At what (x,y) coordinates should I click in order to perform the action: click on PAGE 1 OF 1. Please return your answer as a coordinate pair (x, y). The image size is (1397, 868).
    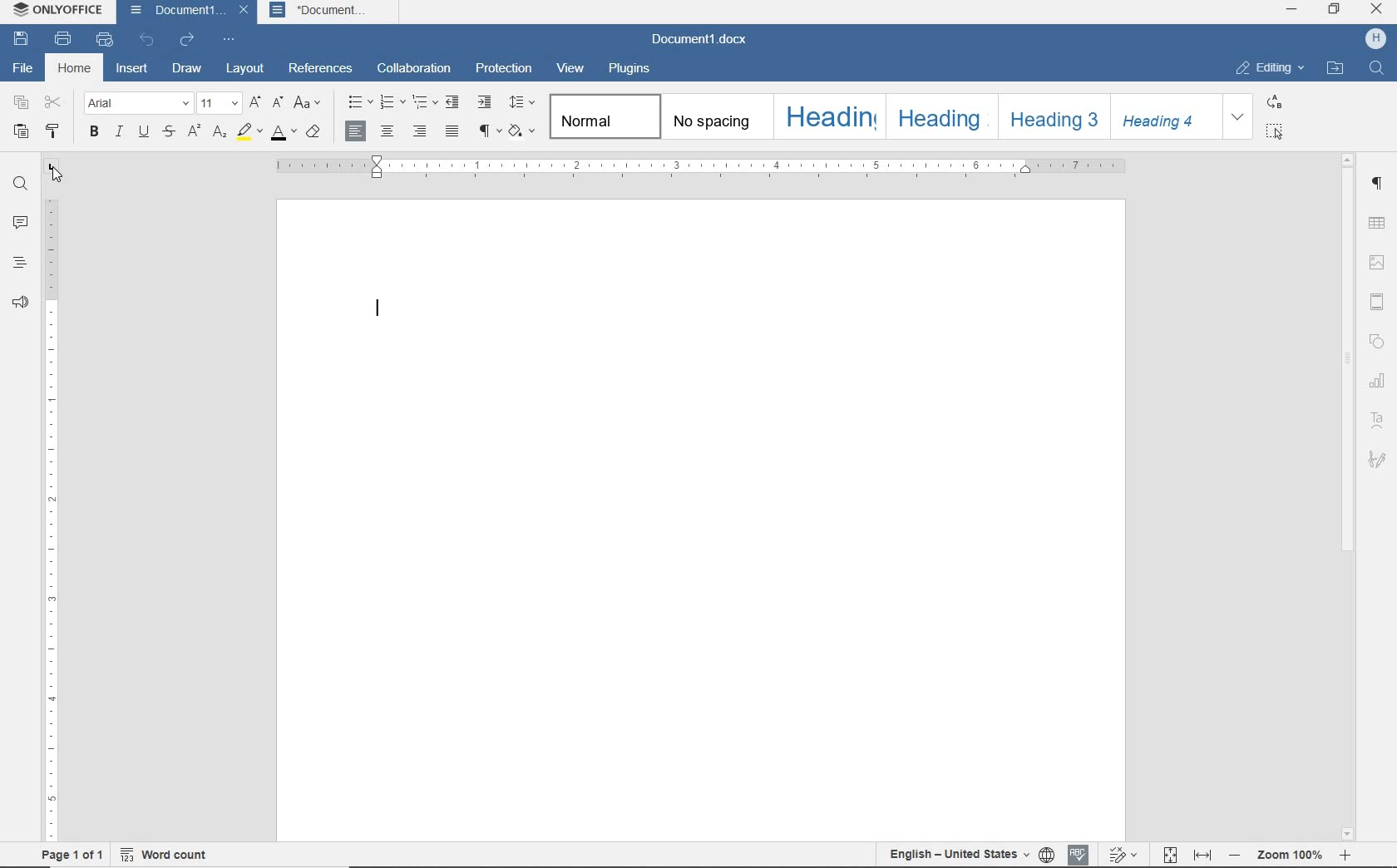
    Looking at the image, I should click on (69, 855).